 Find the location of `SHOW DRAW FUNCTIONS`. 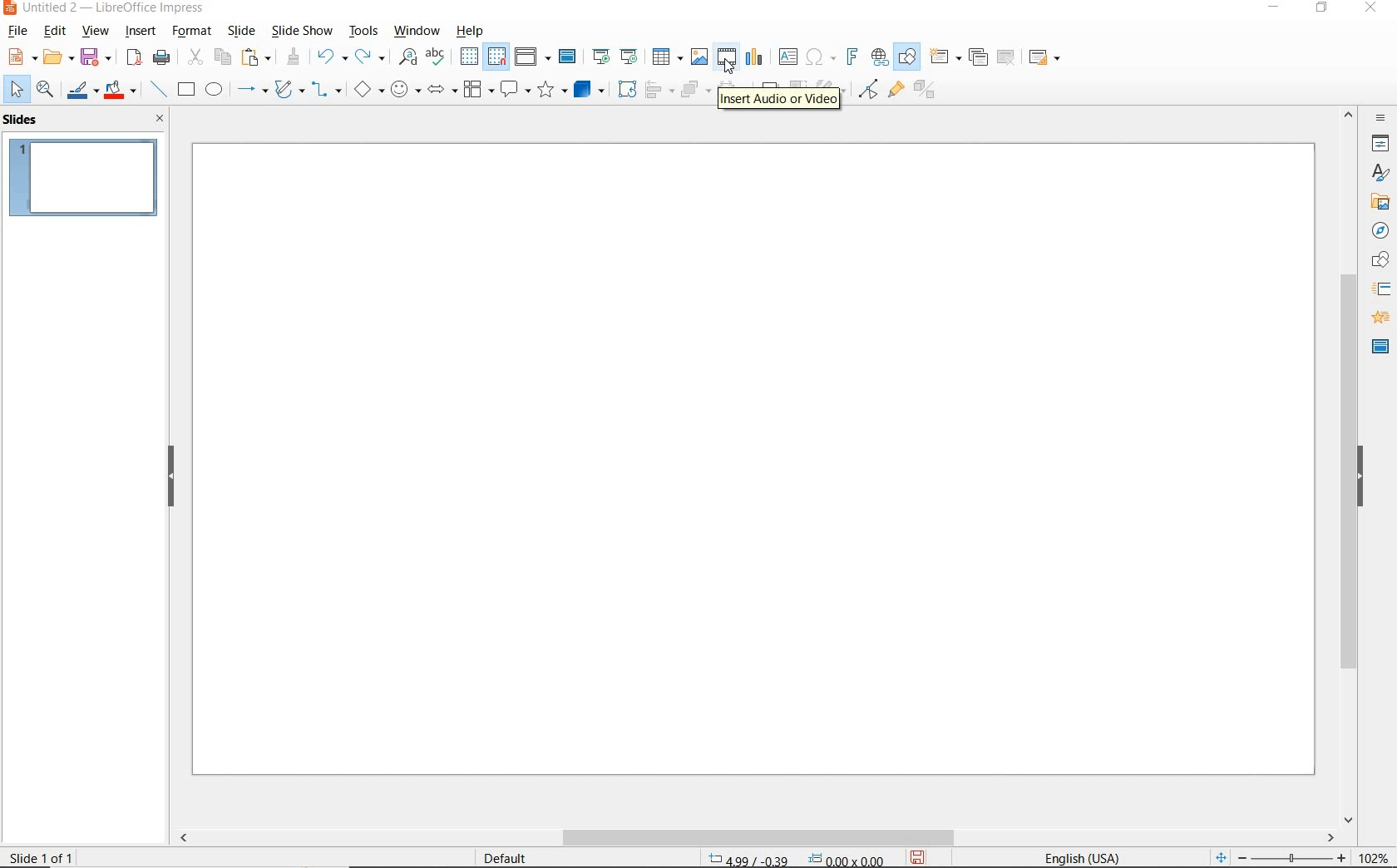

SHOW DRAW FUNCTIONS is located at coordinates (909, 57).